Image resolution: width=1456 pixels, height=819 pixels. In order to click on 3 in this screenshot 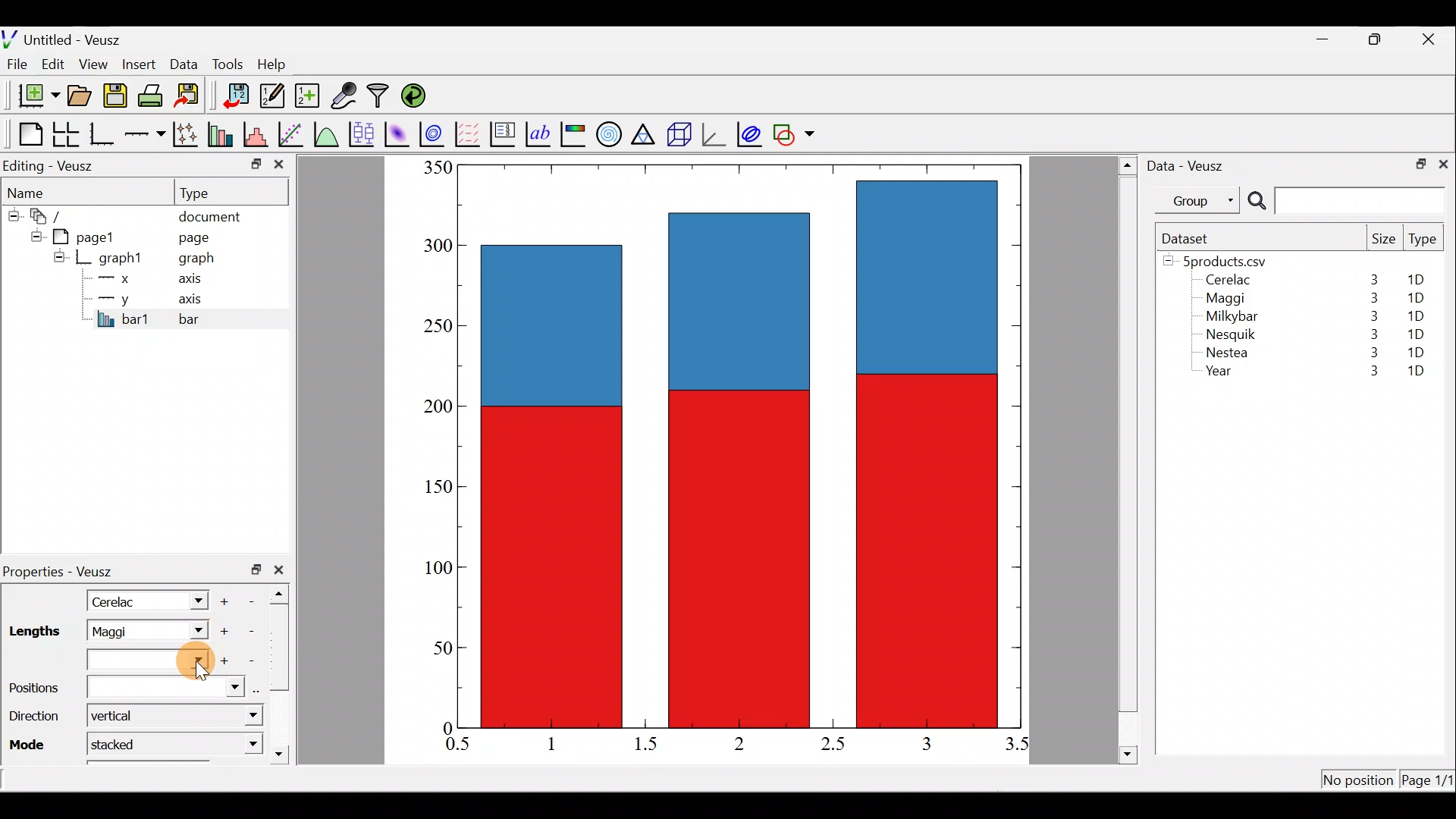, I will do `click(1366, 372)`.